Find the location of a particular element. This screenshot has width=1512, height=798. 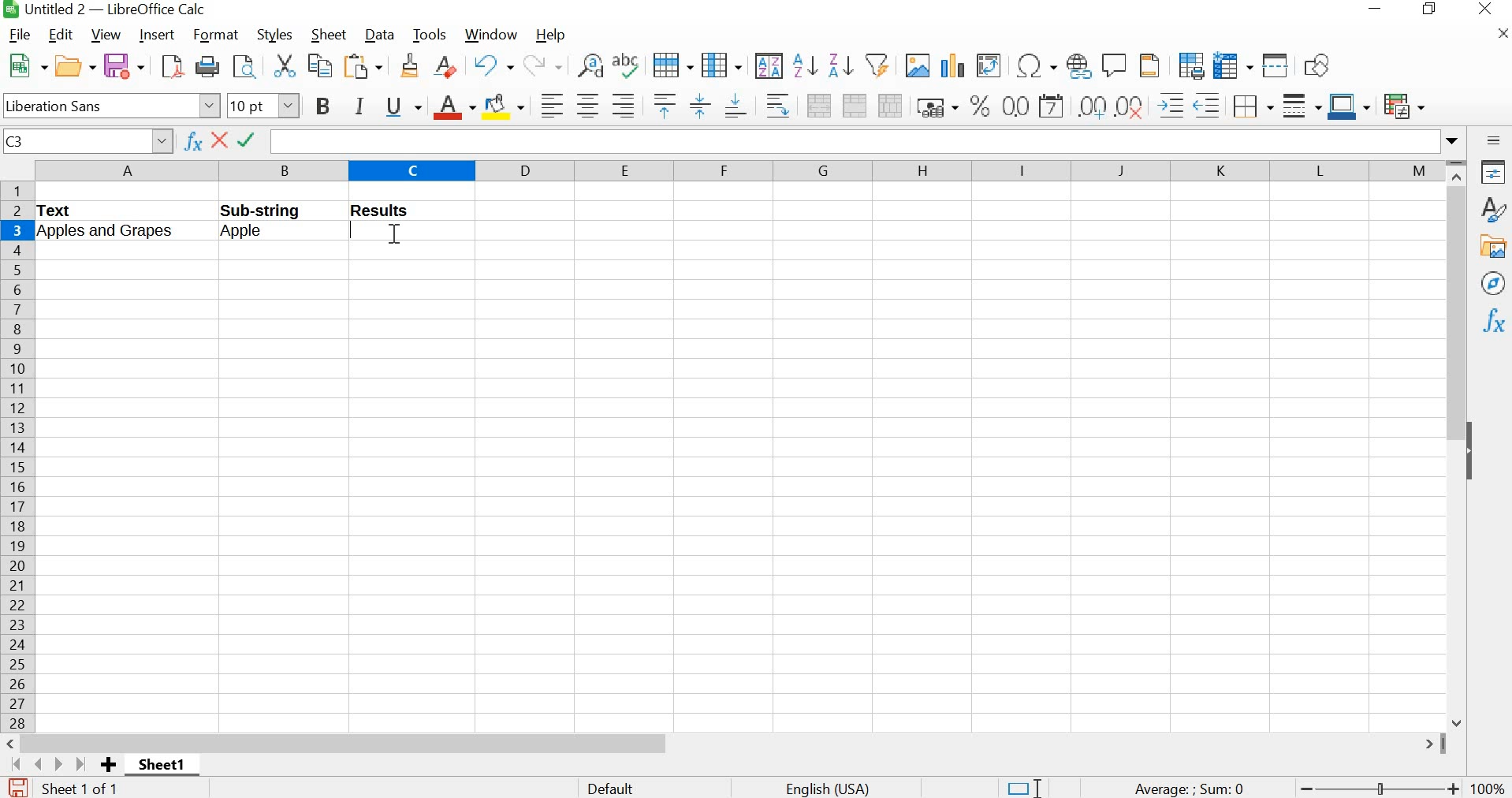

edit is located at coordinates (62, 35).